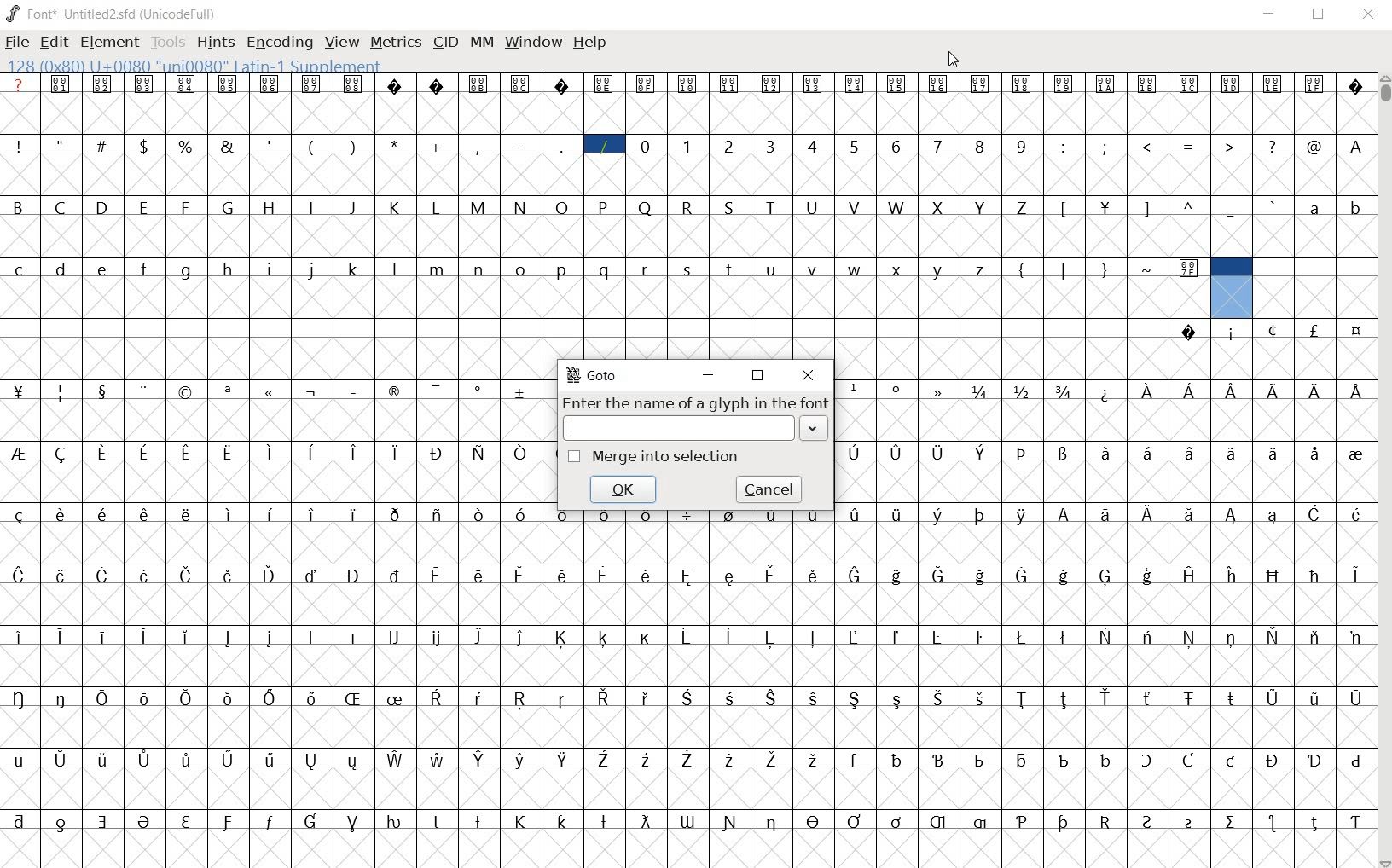  I want to click on Symbol, so click(730, 698).